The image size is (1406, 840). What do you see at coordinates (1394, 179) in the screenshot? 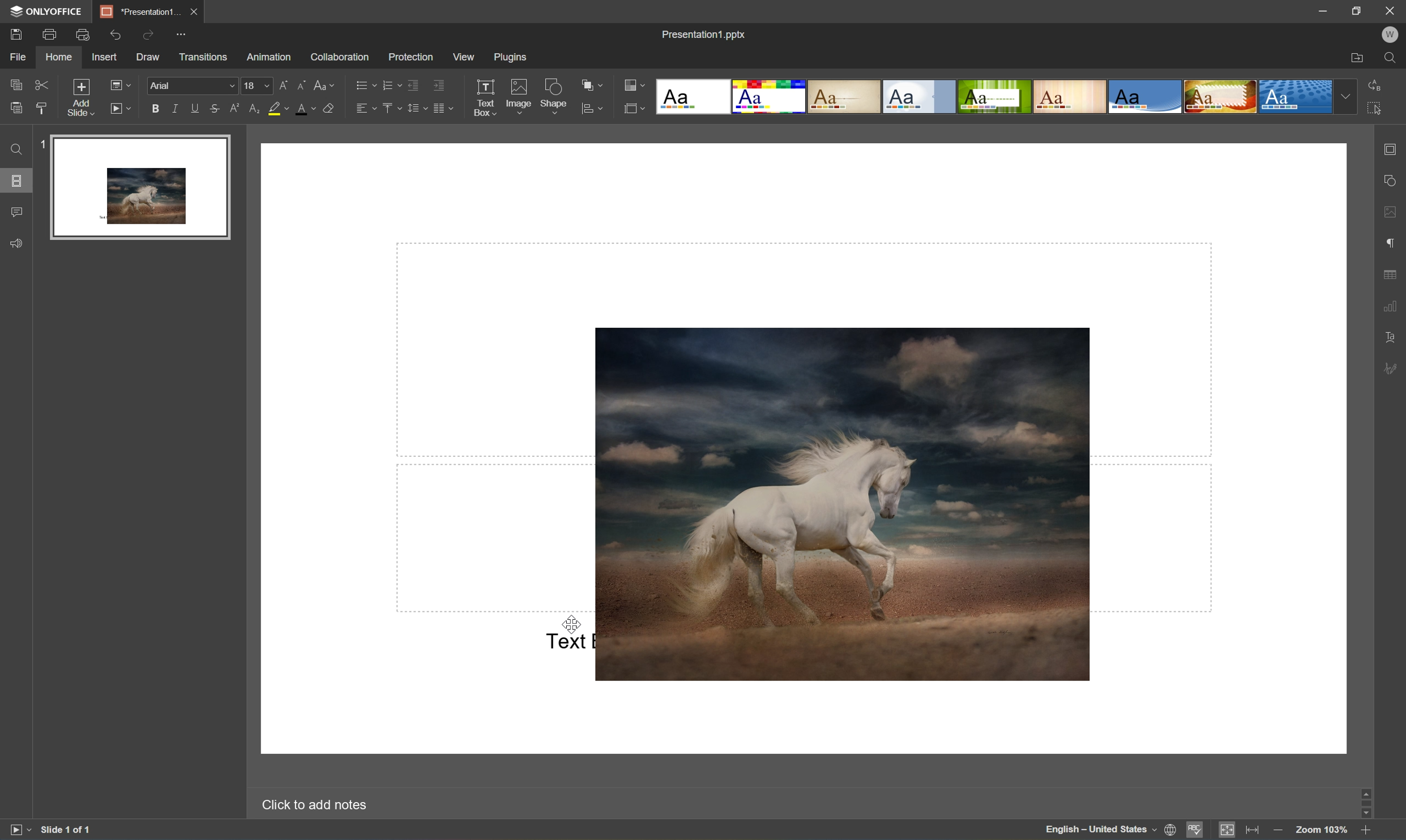
I see `Shape settings` at bounding box center [1394, 179].